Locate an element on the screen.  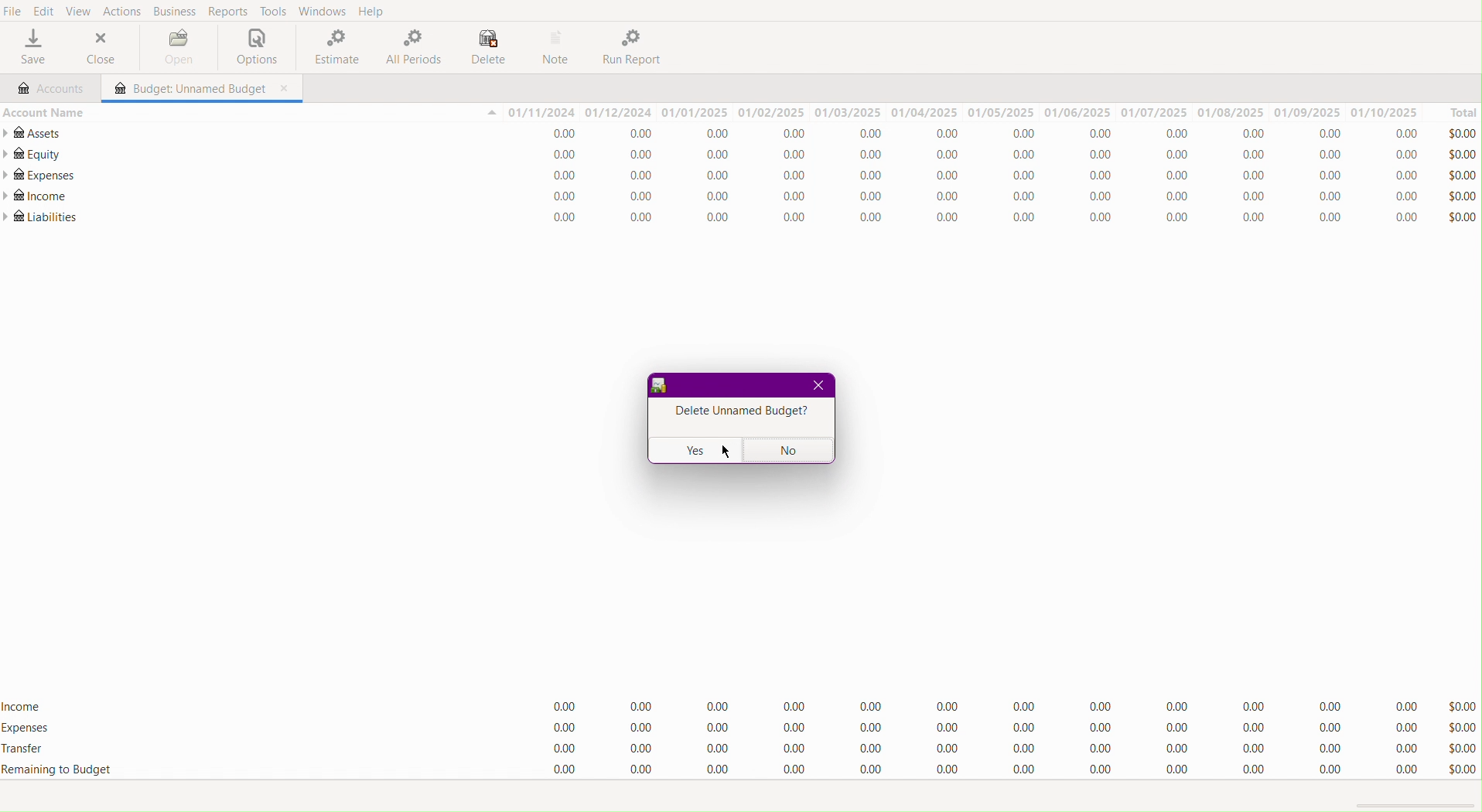
Save is located at coordinates (32, 49).